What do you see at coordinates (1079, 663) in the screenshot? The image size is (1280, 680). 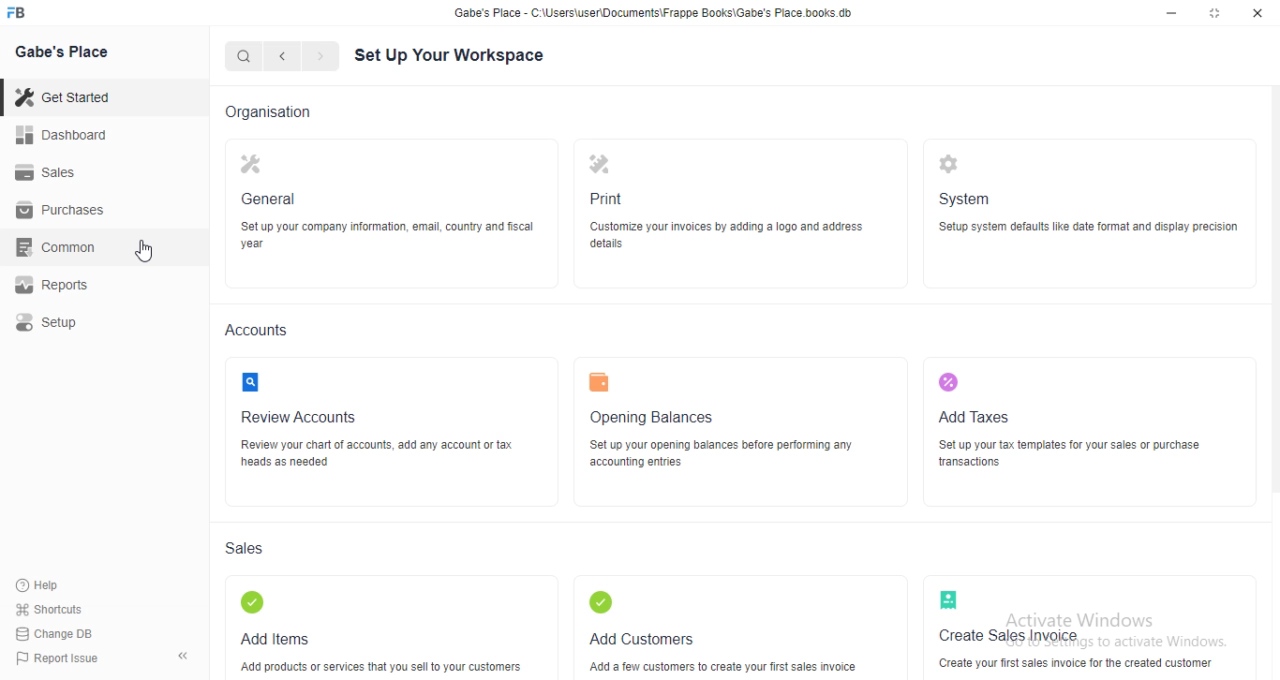 I see `Create your first sales invoice for the created customer` at bounding box center [1079, 663].